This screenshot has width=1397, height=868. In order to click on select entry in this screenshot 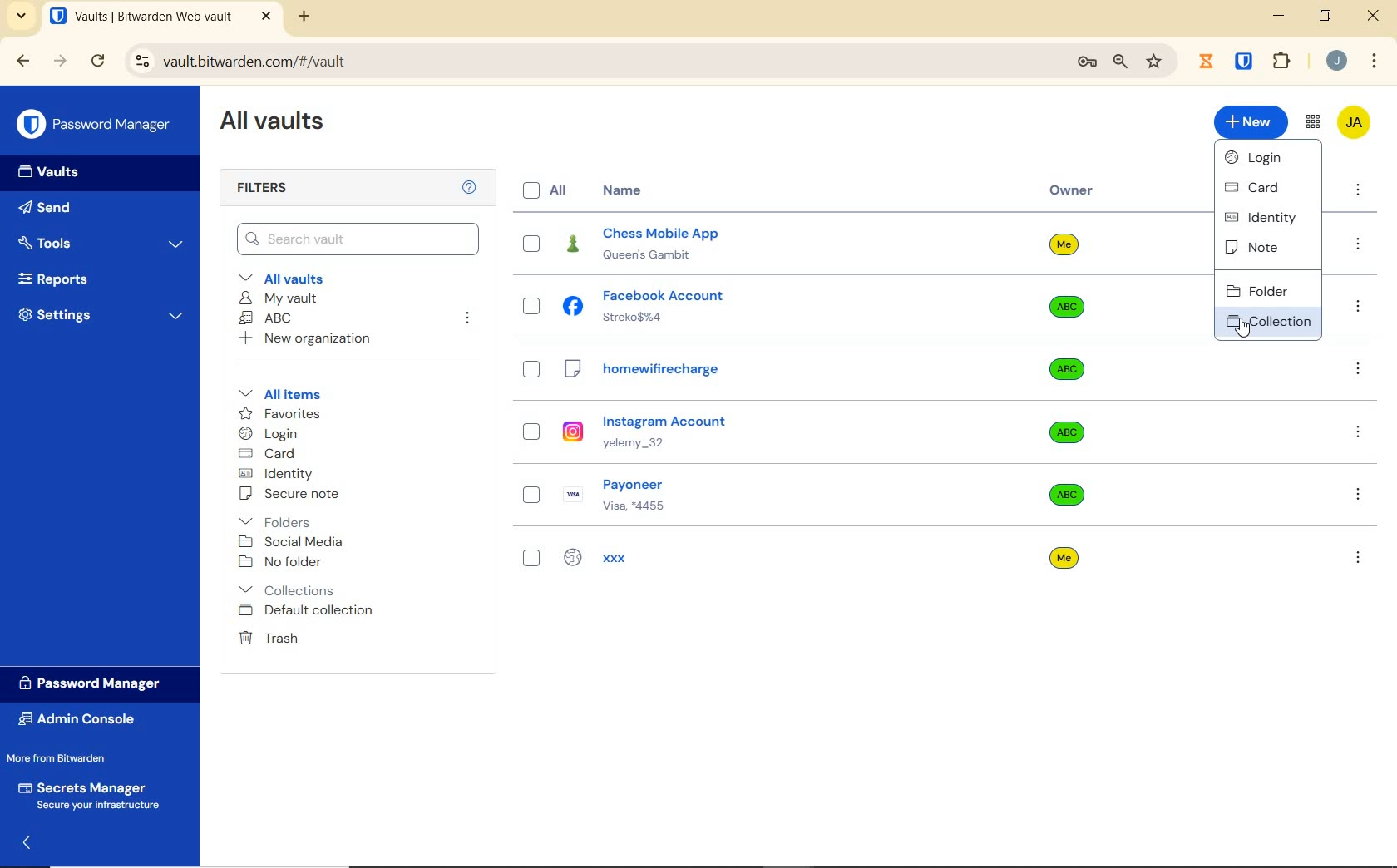, I will do `click(531, 558)`.